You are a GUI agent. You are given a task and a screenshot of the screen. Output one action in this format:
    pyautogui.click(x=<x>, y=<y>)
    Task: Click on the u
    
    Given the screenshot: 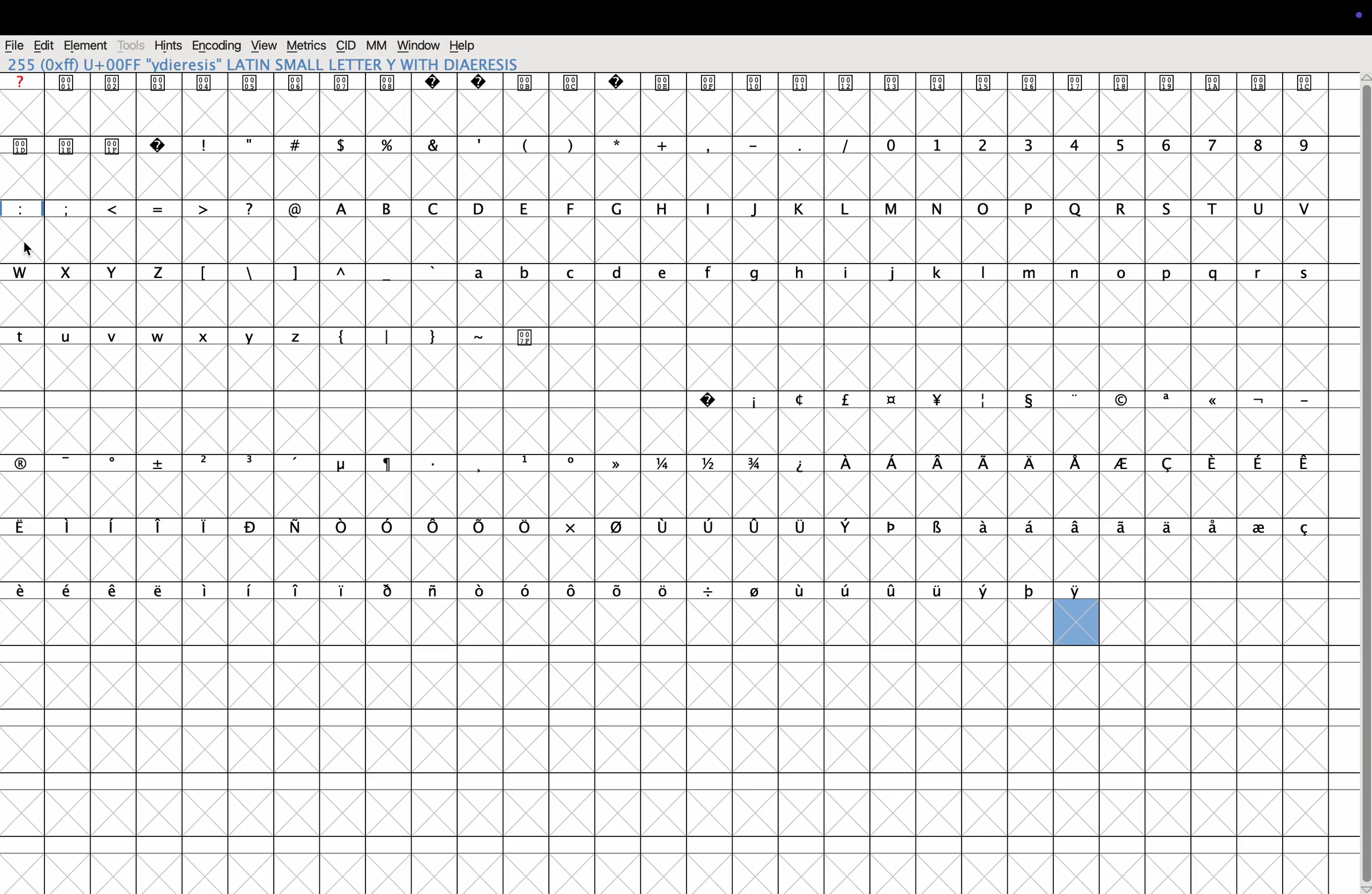 What is the action you would take?
    pyautogui.click(x=72, y=358)
    